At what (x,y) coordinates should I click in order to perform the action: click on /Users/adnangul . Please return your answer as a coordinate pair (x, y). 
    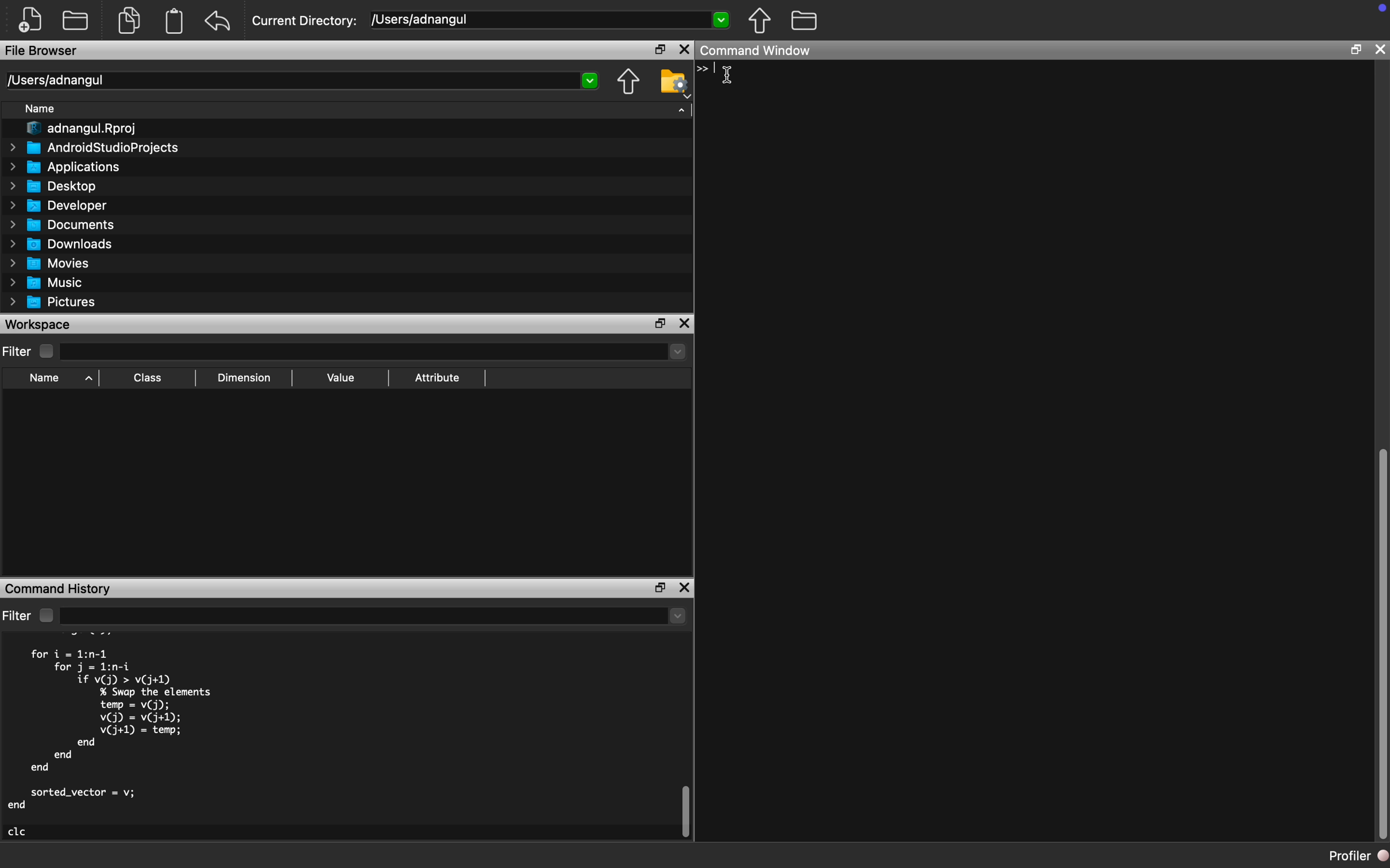
    Looking at the image, I should click on (300, 81).